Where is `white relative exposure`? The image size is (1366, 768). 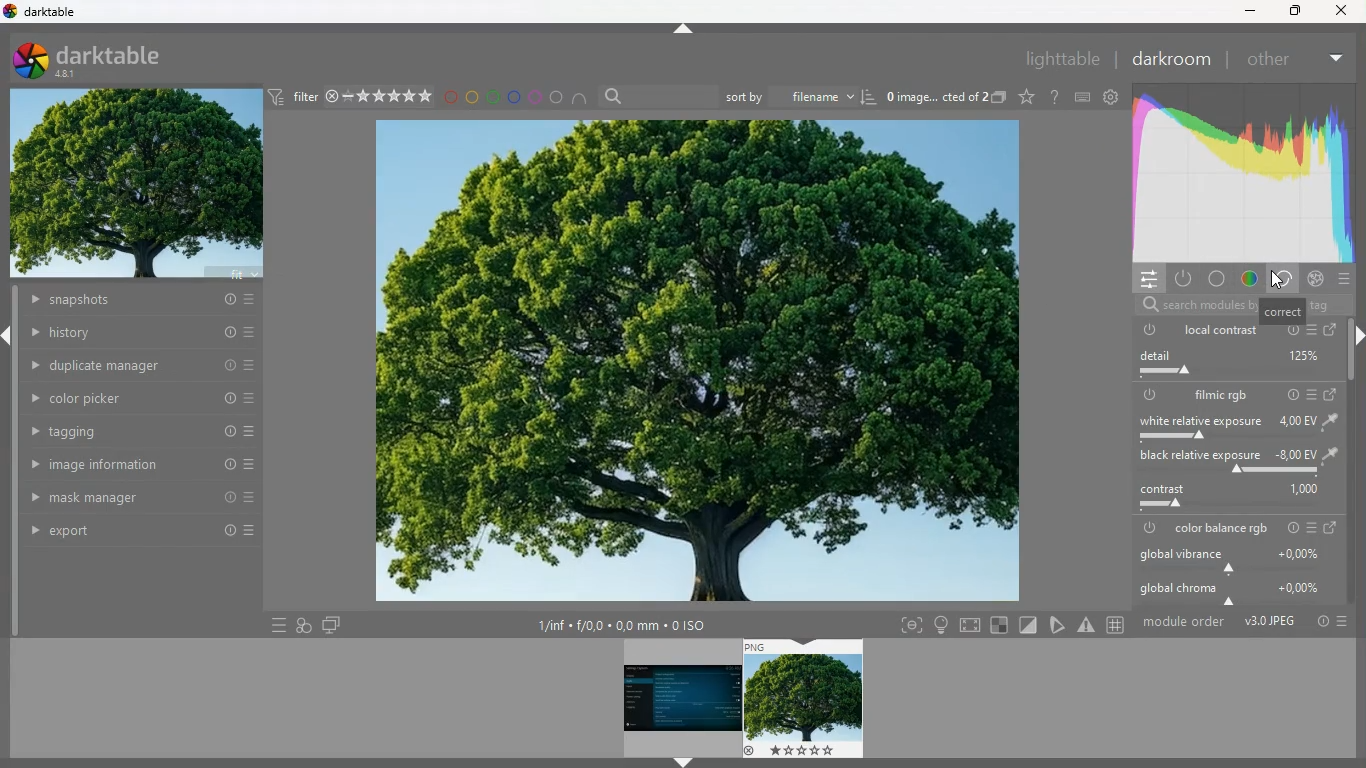
white relative exposure is located at coordinates (1237, 427).